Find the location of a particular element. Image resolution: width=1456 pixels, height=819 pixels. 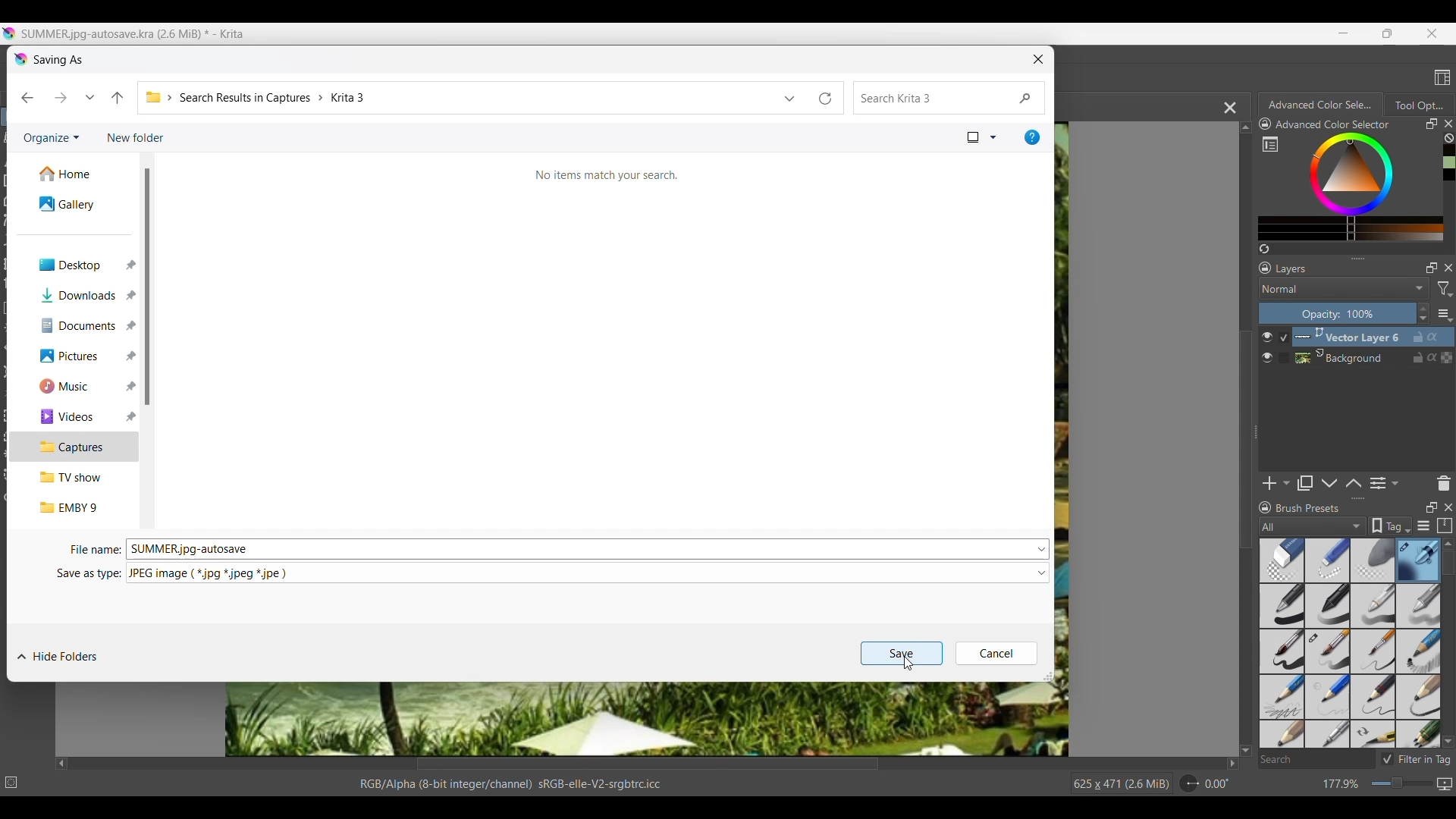

Location of current folder is located at coordinates (458, 97).